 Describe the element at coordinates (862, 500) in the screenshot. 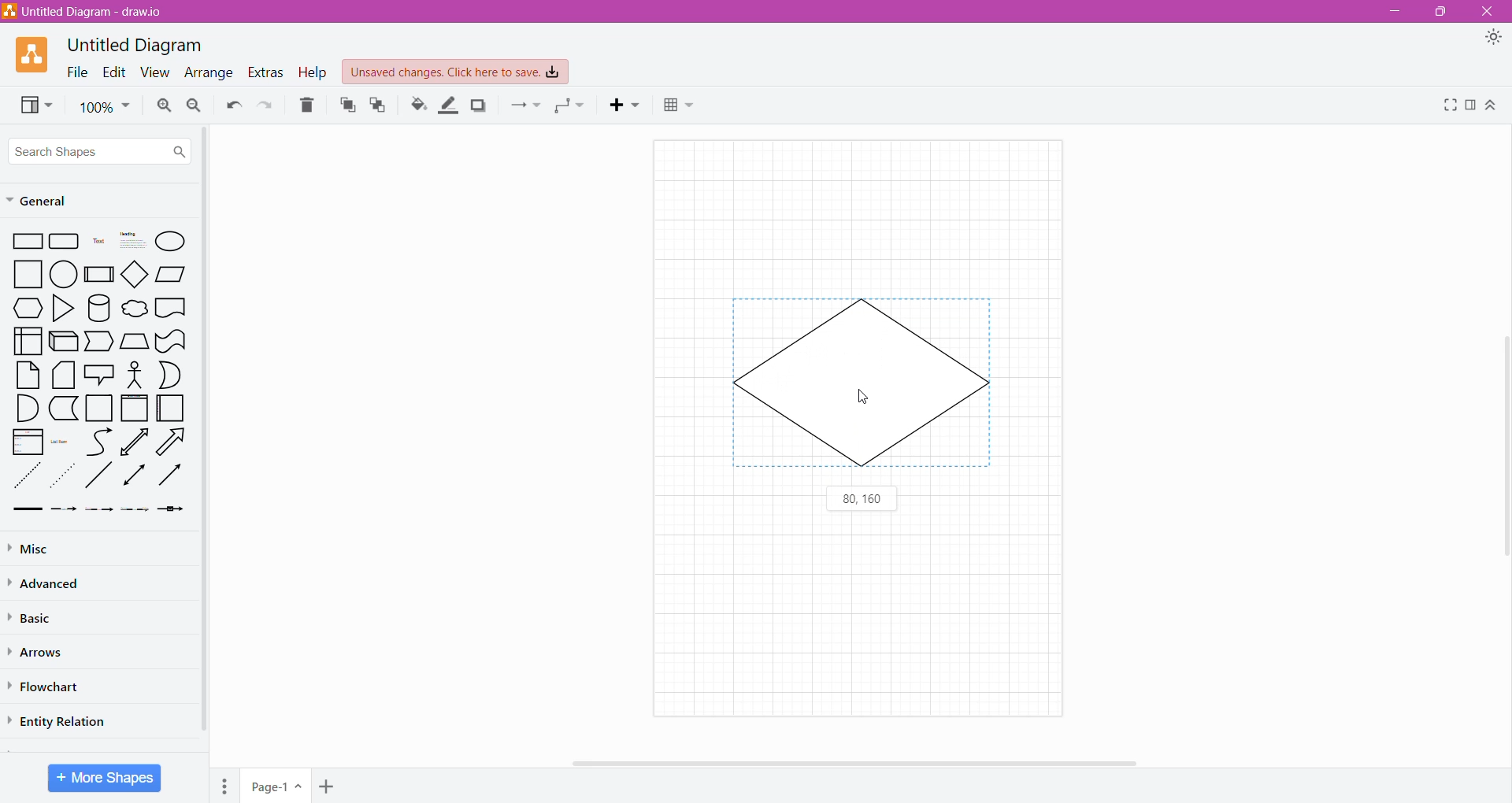

I see `80, 160` at that location.